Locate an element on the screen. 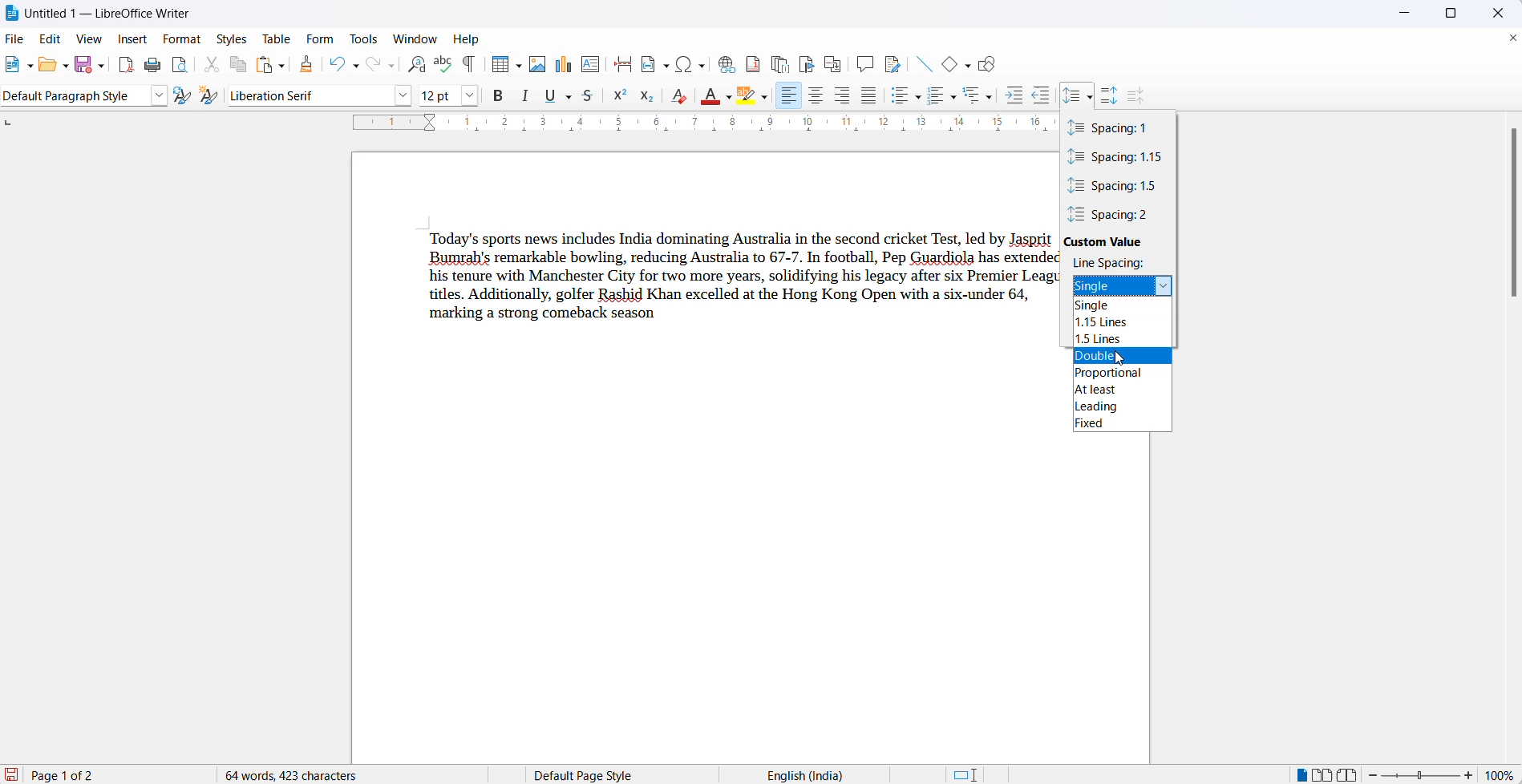 This screenshot has height=784, width=1522. fill color is located at coordinates (709, 96).